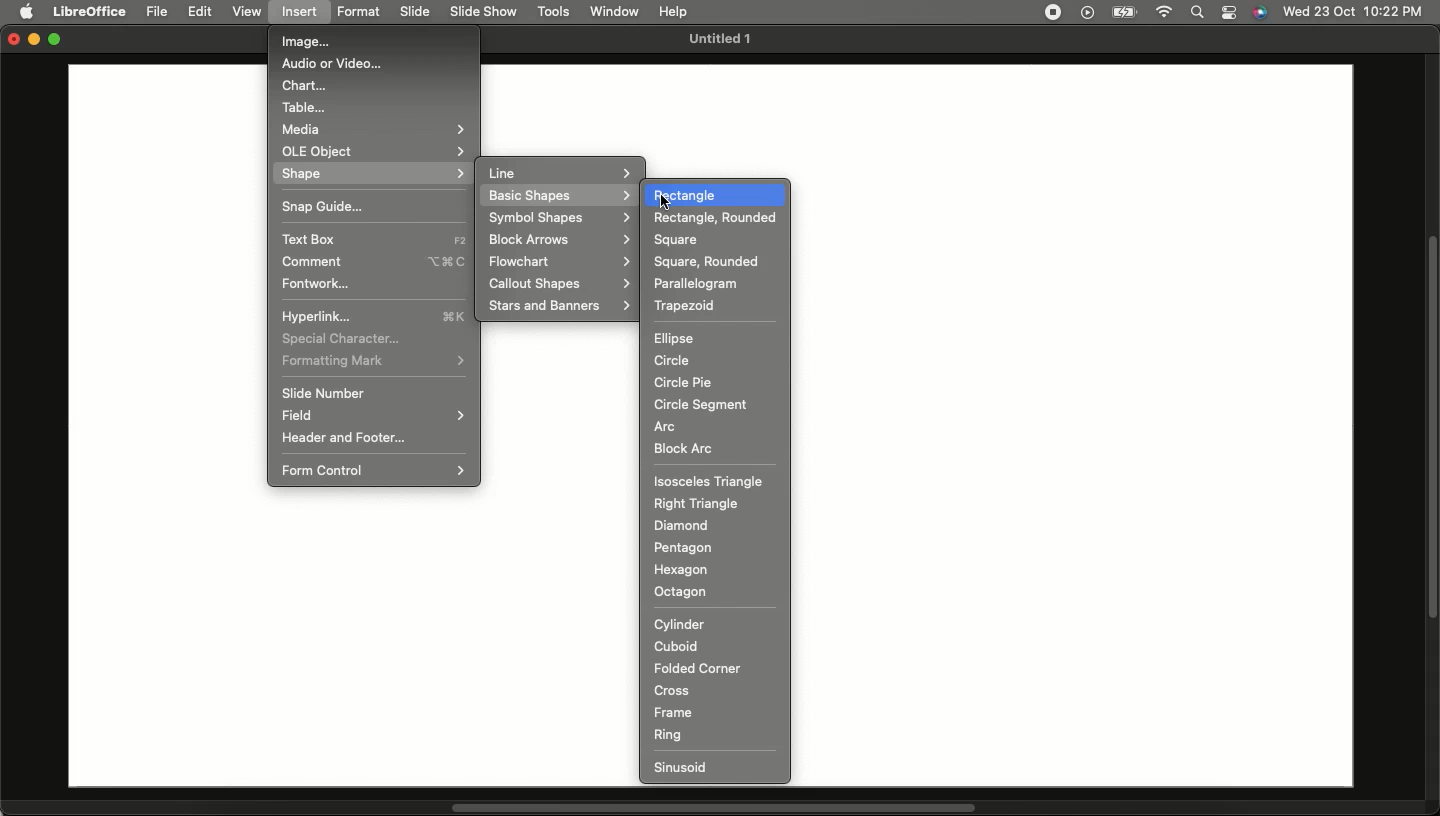  Describe the element at coordinates (717, 40) in the screenshot. I see `Untitled 1` at that location.